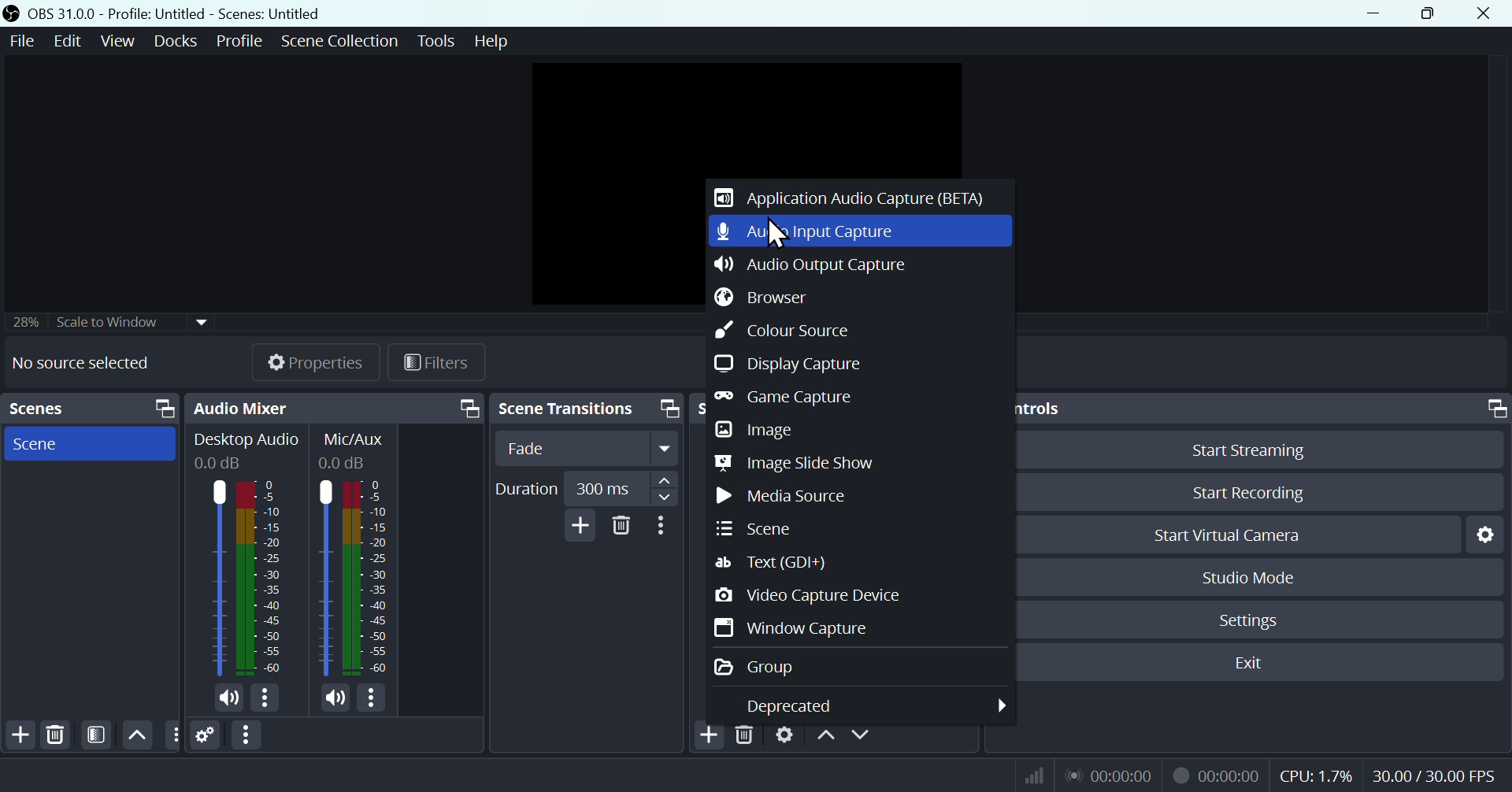 Image resolution: width=1512 pixels, height=792 pixels. Describe the element at coordinates (1434, 777) in the screenshot. I see `Frame Per Second` at that location.